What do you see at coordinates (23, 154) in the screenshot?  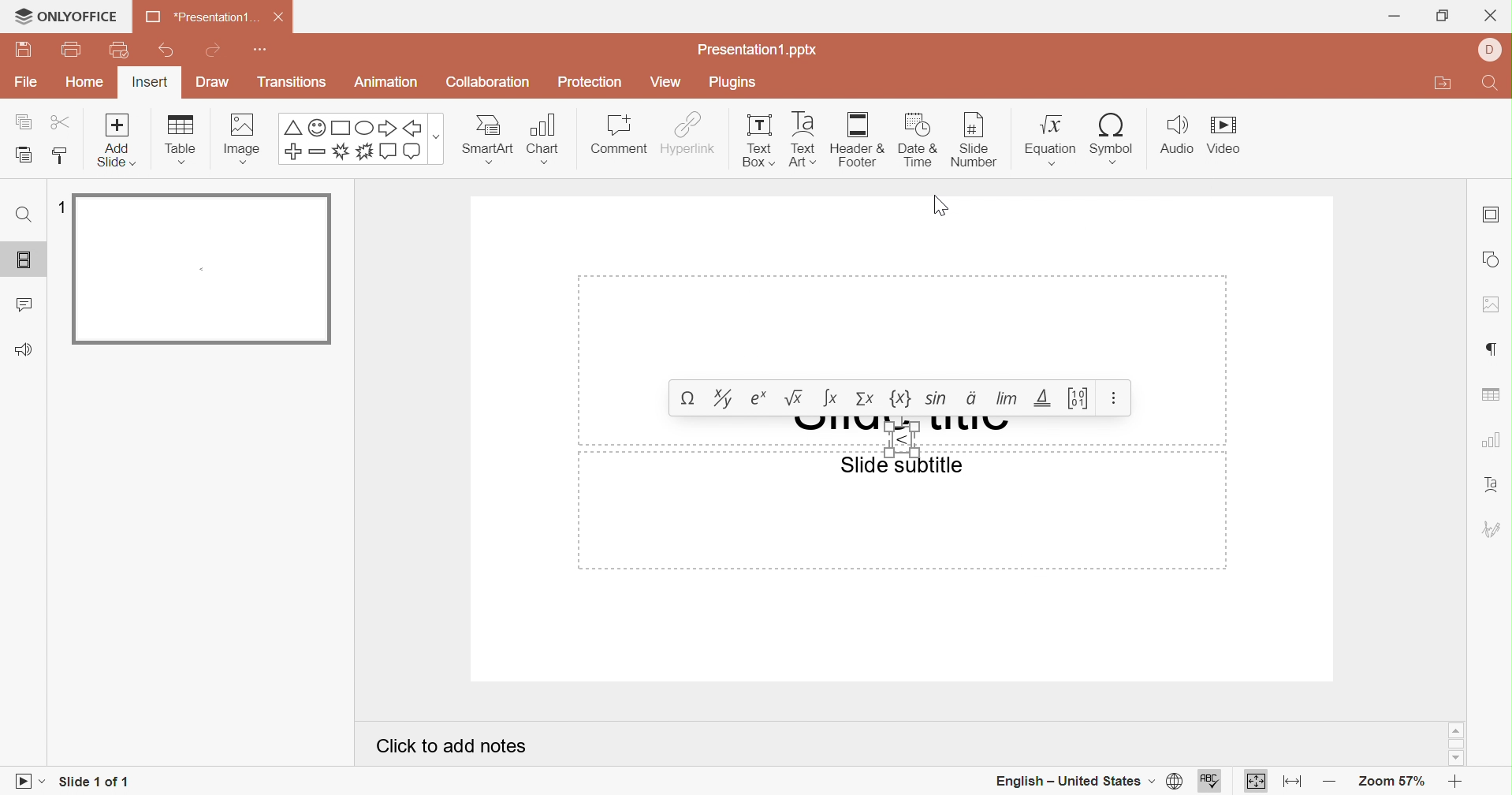 I see `paste` at bounding box center [23, 154].